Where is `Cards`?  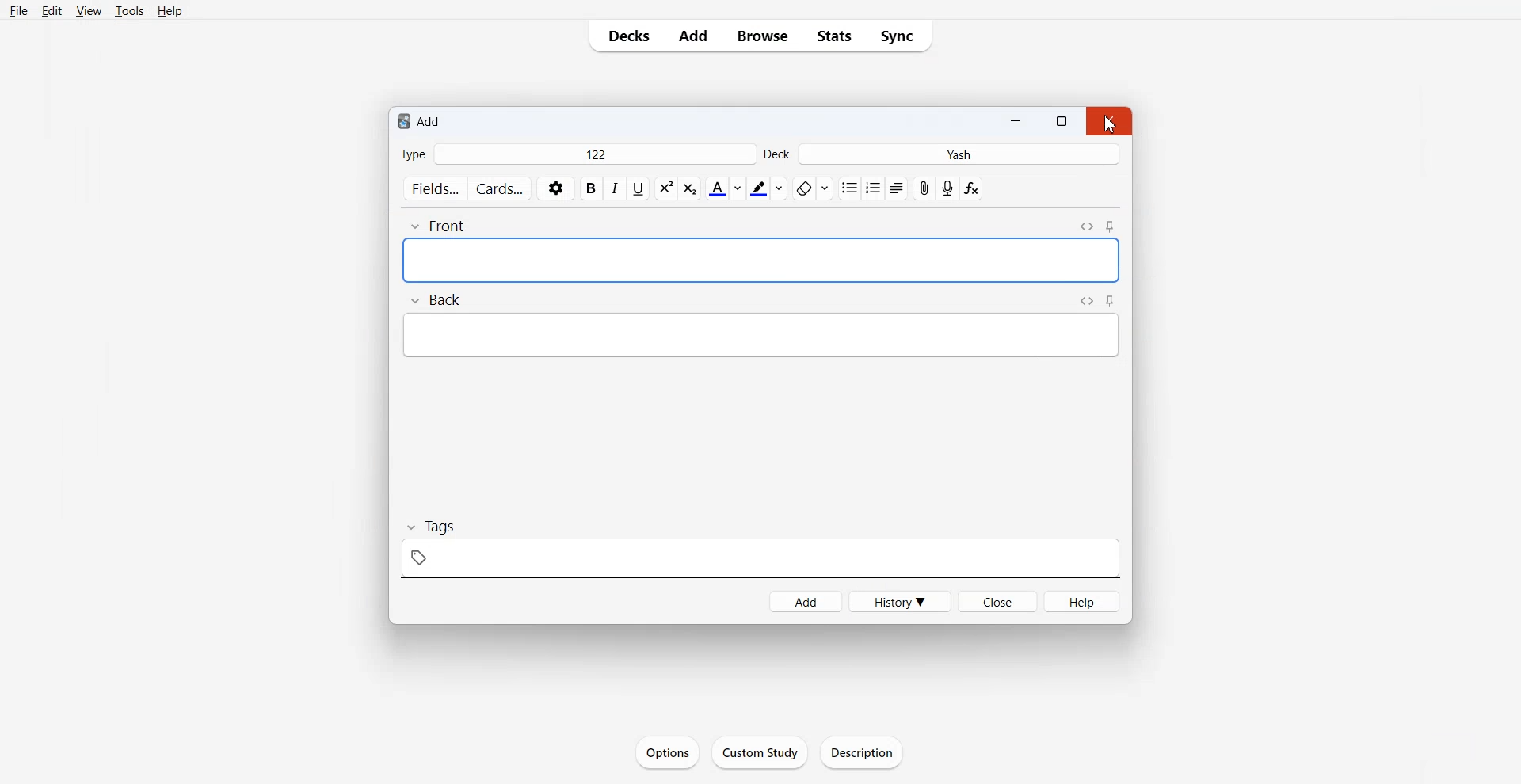 Cards is located at coordinates (501, 188).